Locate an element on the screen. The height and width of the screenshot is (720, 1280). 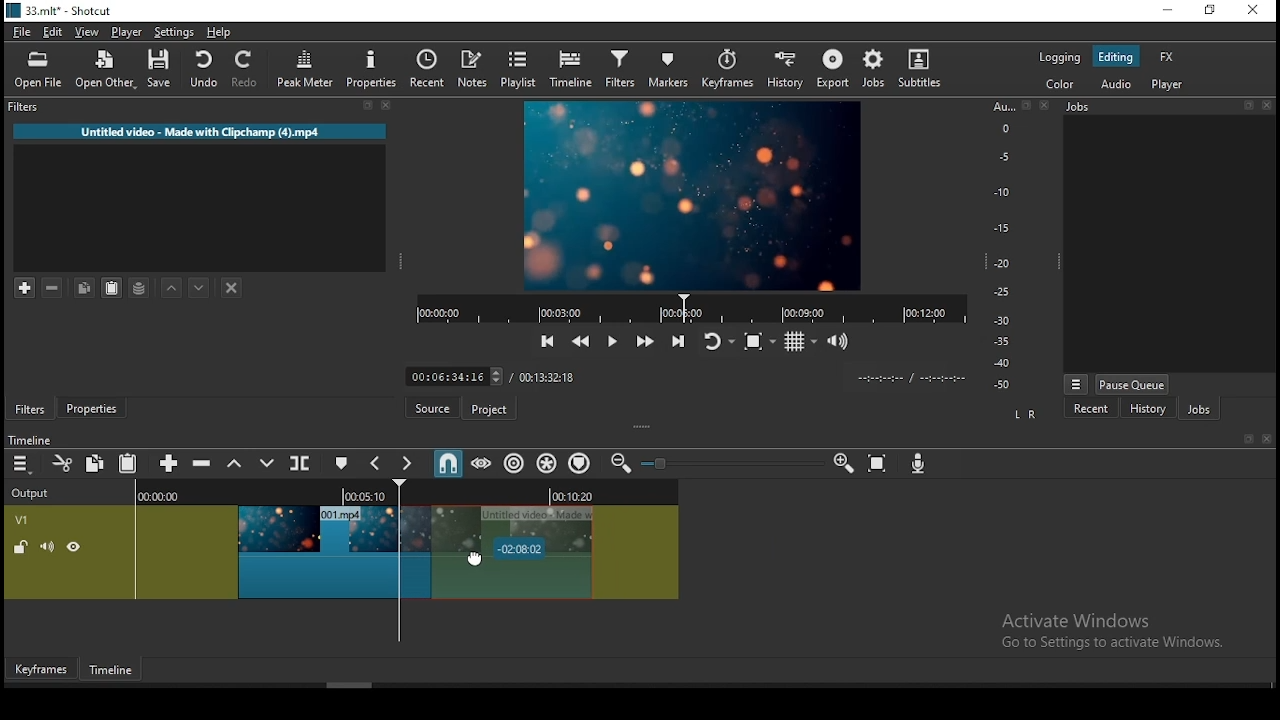
next marker is located at coordinates (408, 464).